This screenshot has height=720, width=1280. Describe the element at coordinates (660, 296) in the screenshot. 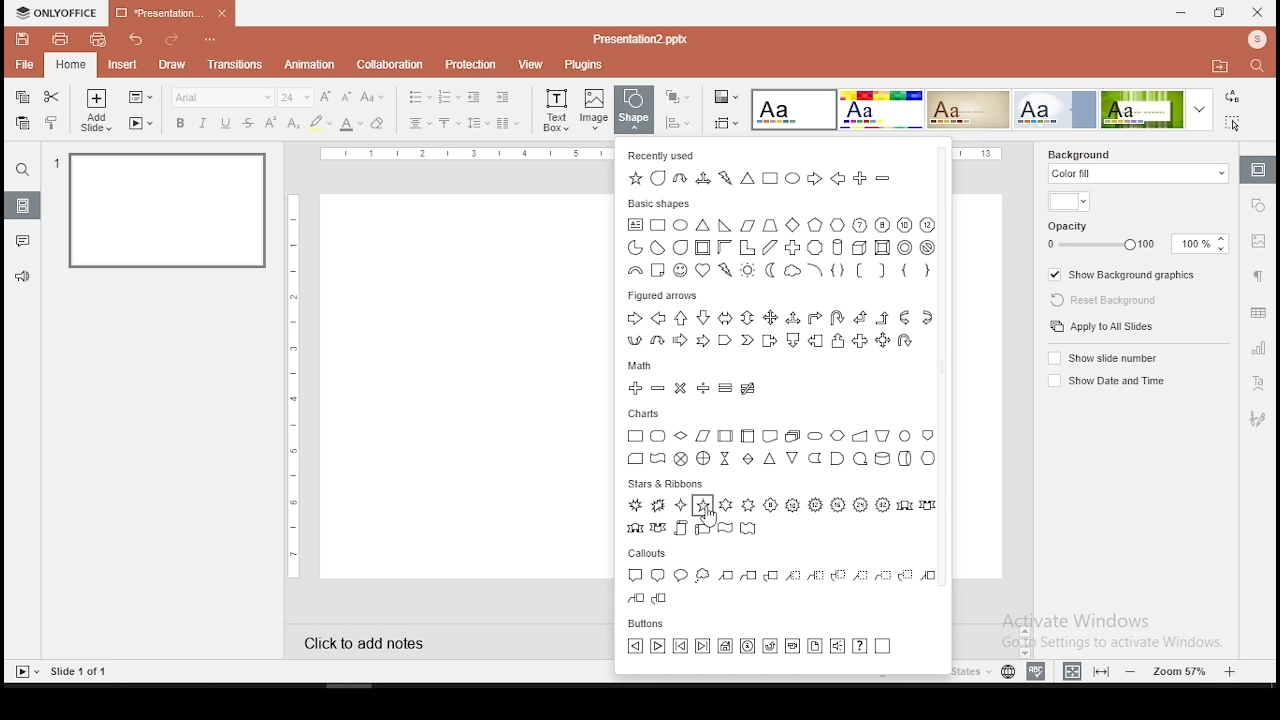

I see `figured arrows` at that location.